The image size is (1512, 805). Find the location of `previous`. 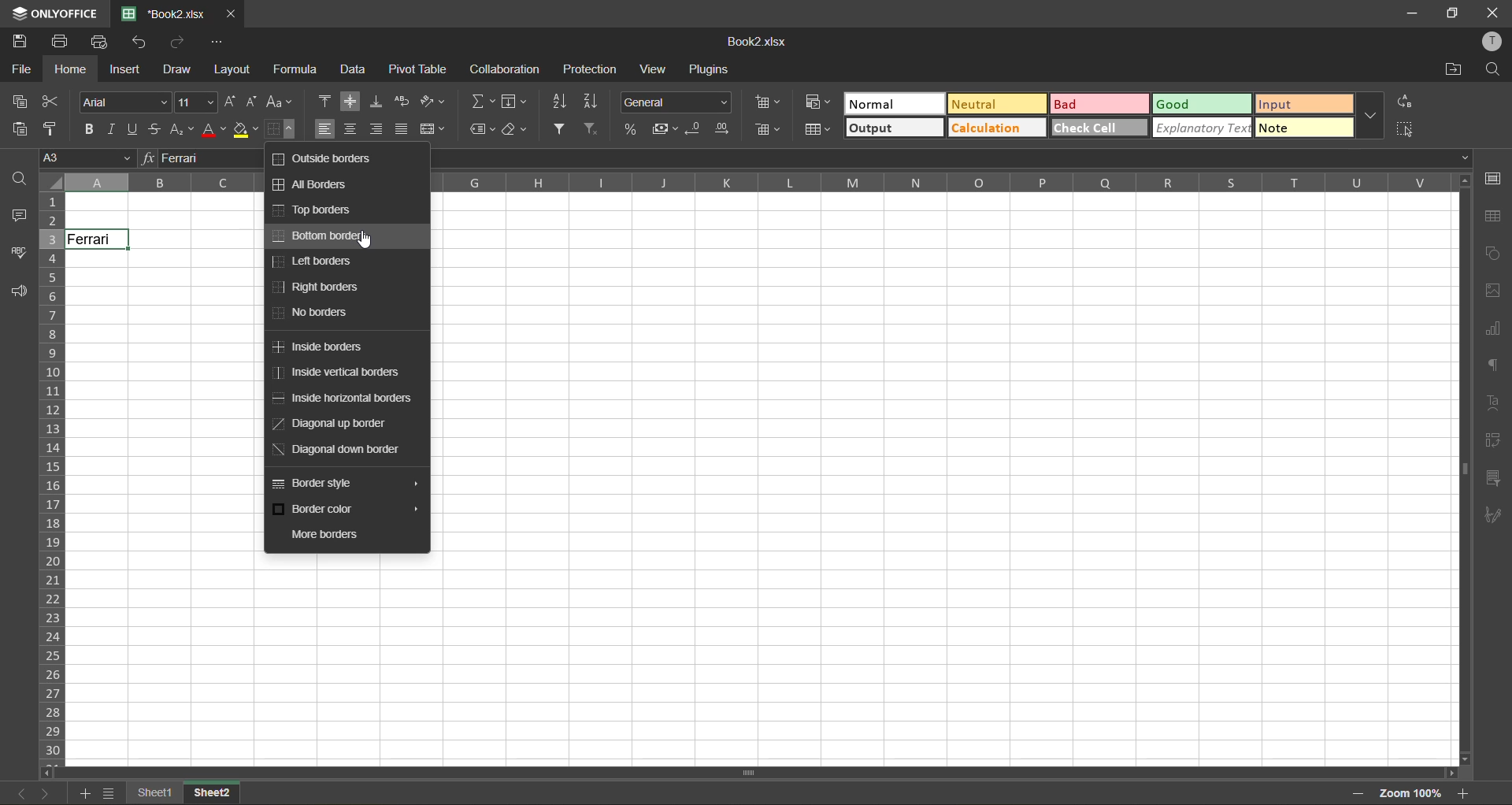

previous is located at coordinates (24, 794).